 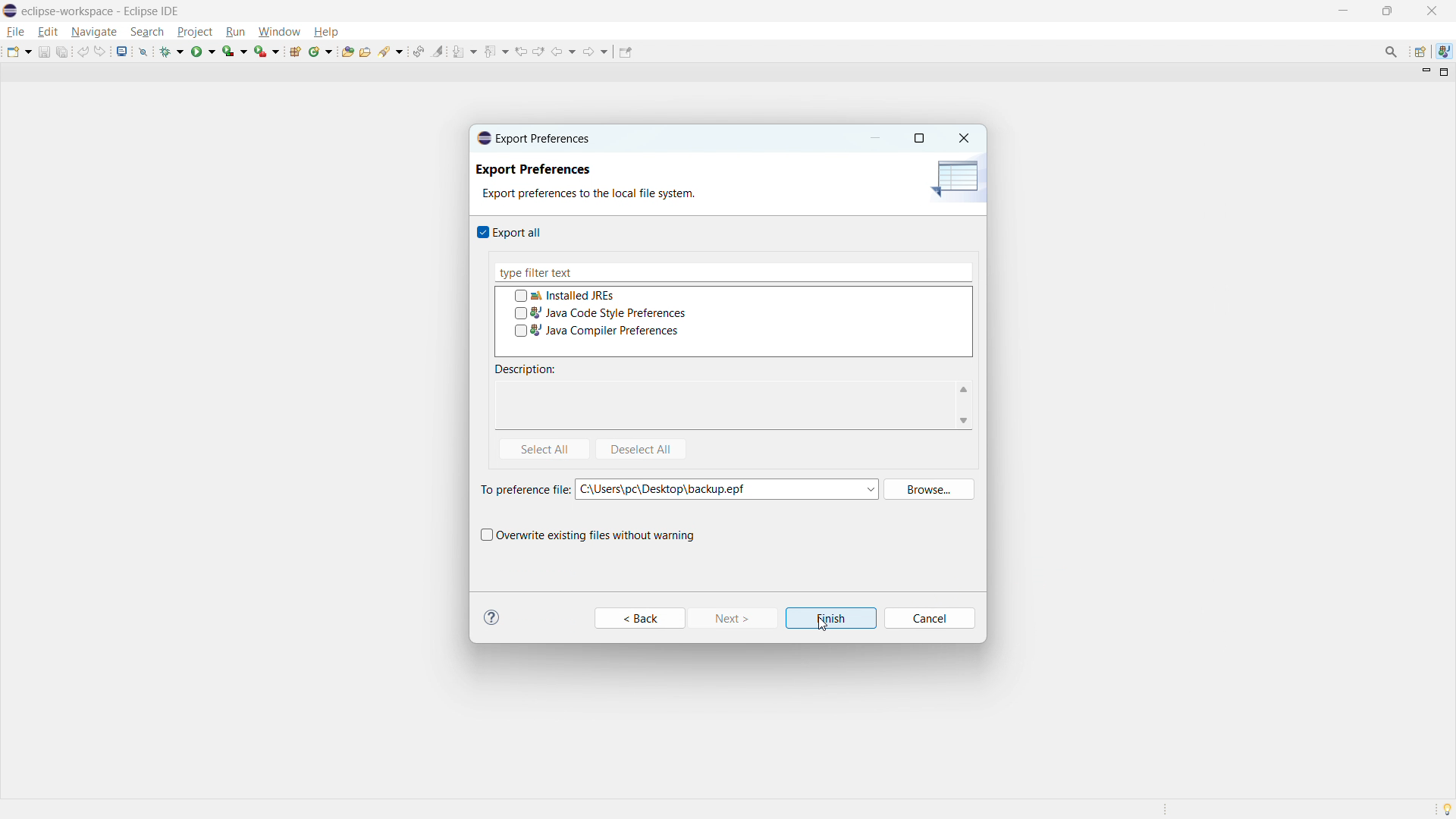 I want to click on view previous location, so click(x=521, y=52).